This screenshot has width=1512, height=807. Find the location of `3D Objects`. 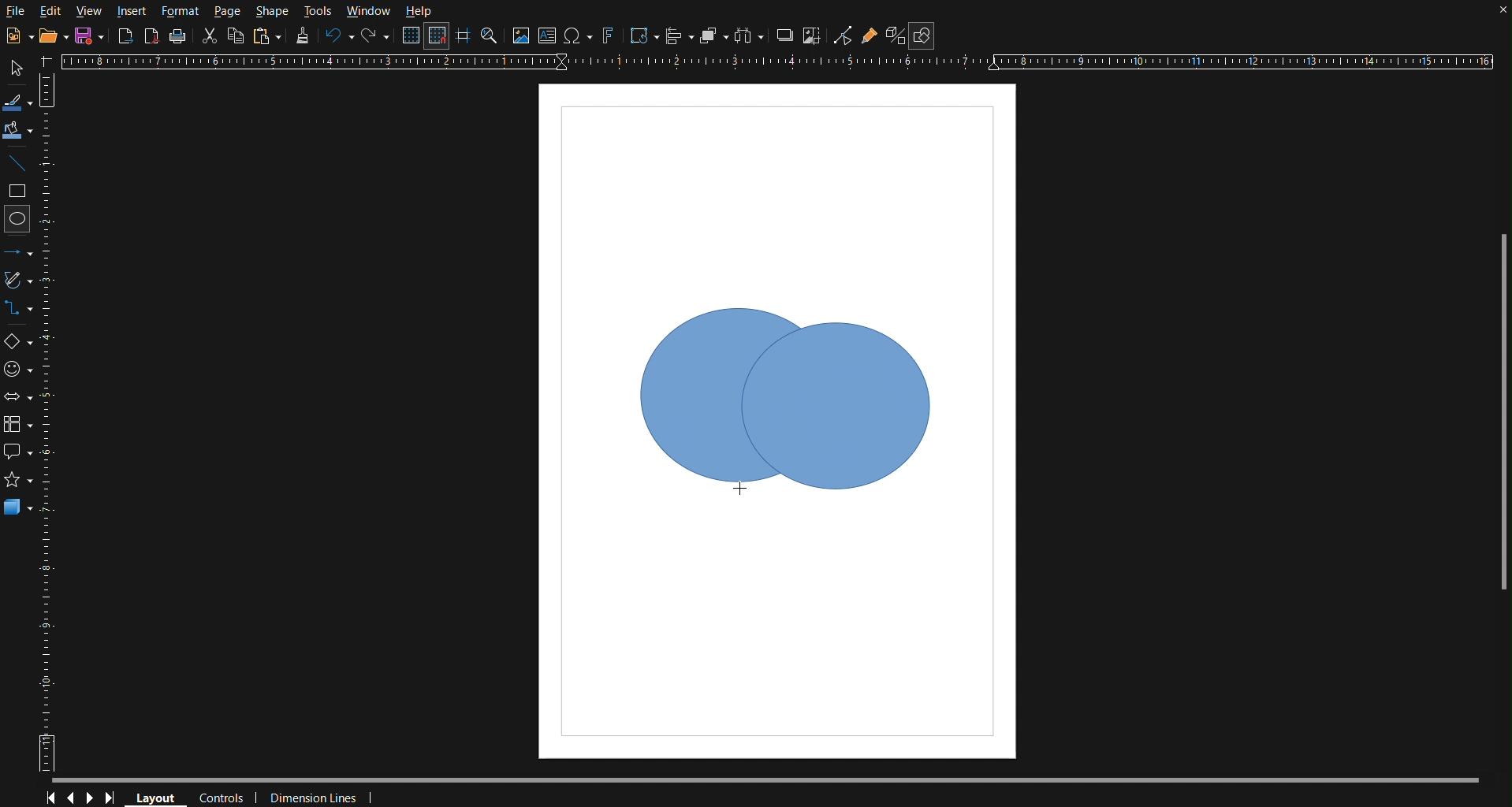

3D Objects is located at coordinates (23, 508).